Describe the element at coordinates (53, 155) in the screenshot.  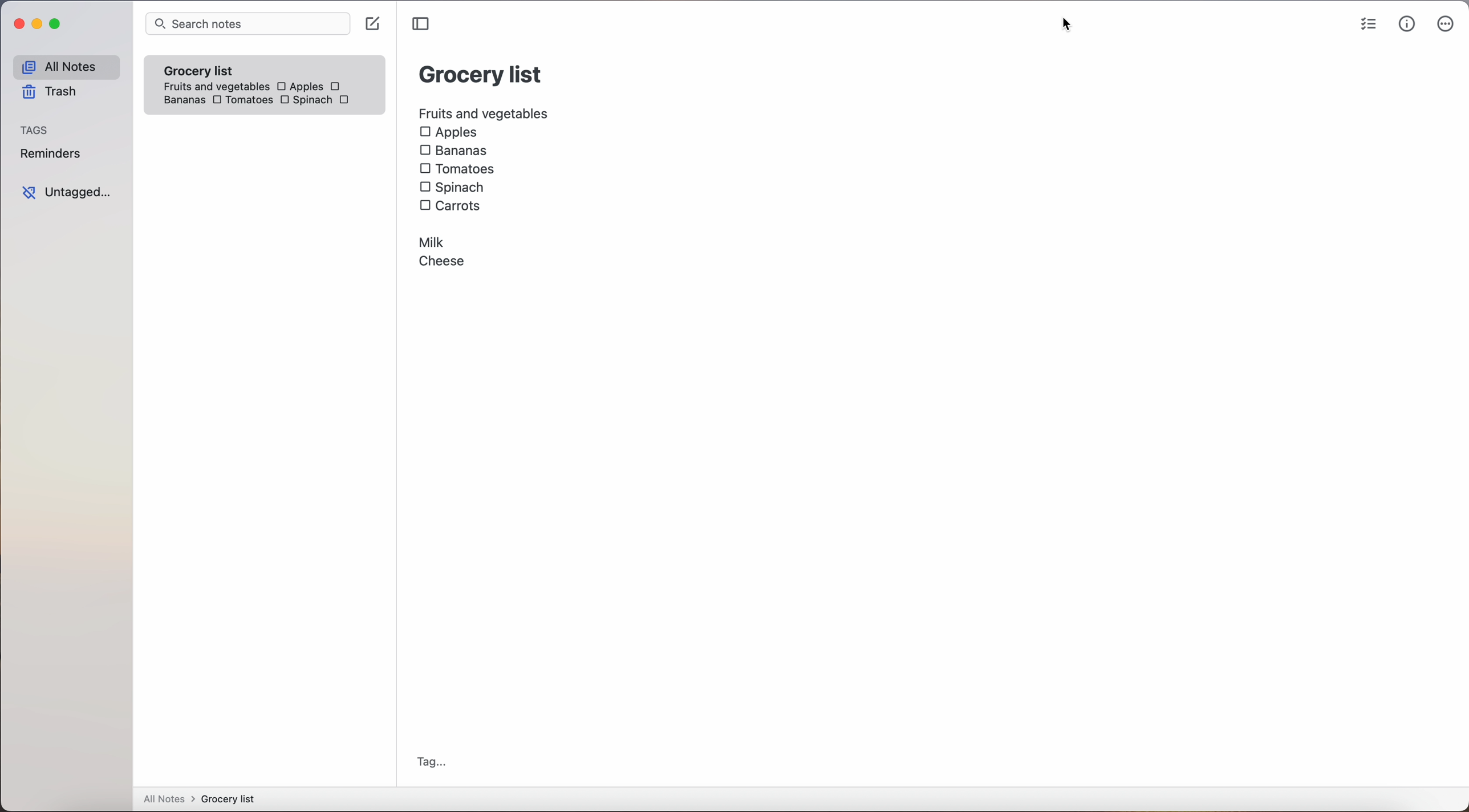
I see `reminders` at that location.